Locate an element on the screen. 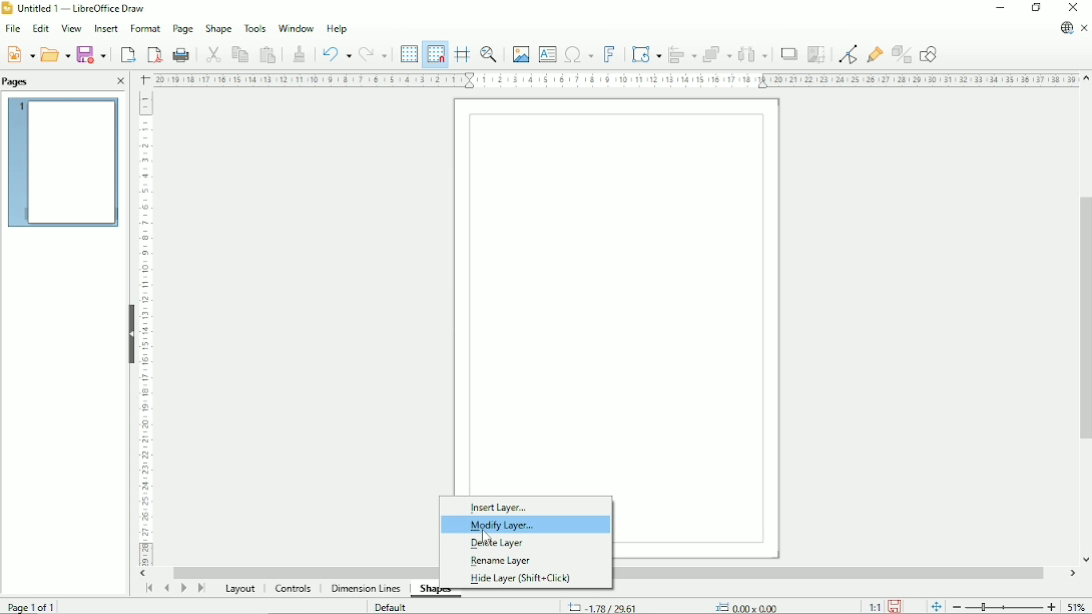 This screenshot has height=614, width=1092. Shadow is located at coordinates (787, 55).